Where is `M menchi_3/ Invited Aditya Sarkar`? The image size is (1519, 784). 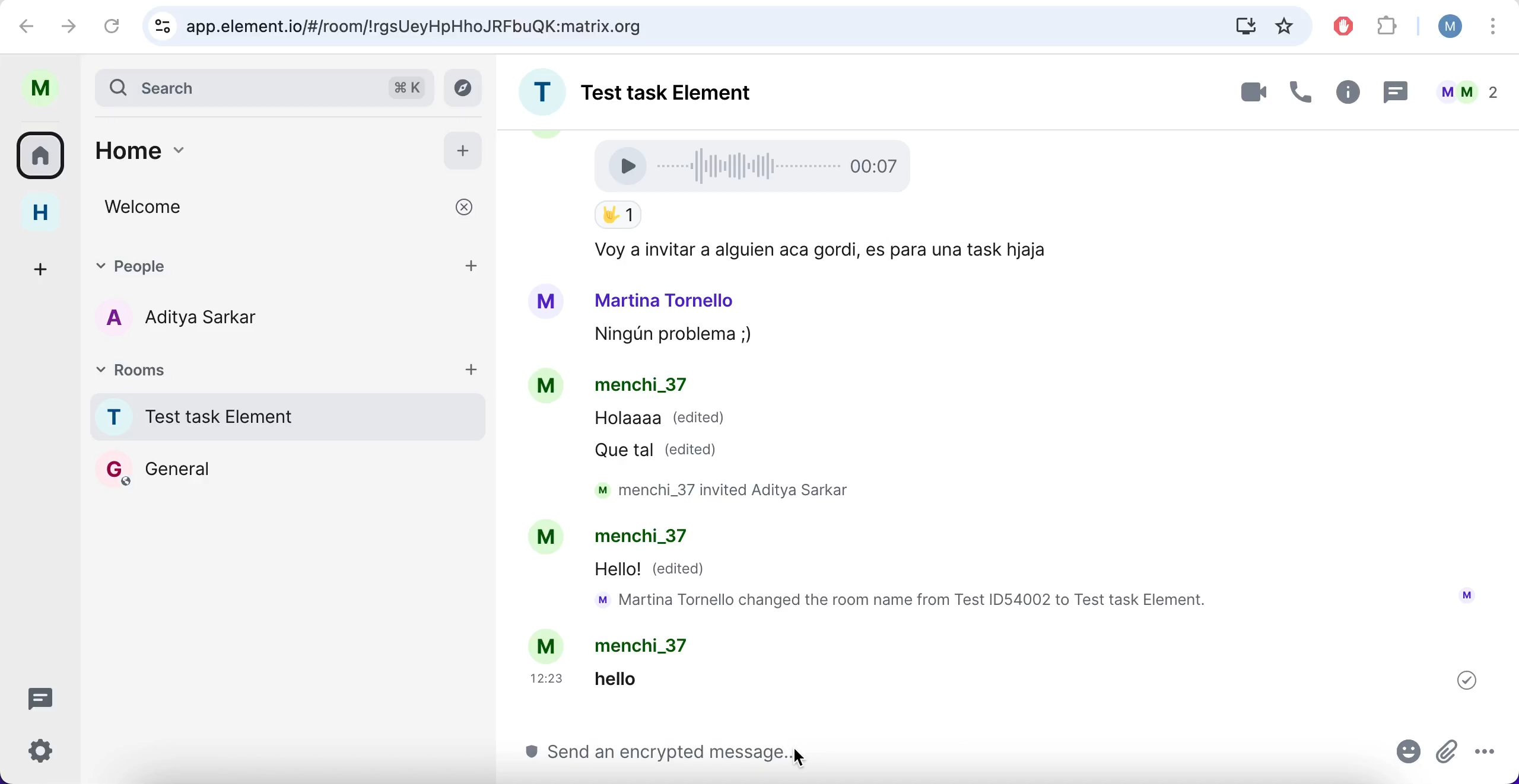 M menchi_3/ Invited Aditya Sarkar is located at coordinates (733, 490).